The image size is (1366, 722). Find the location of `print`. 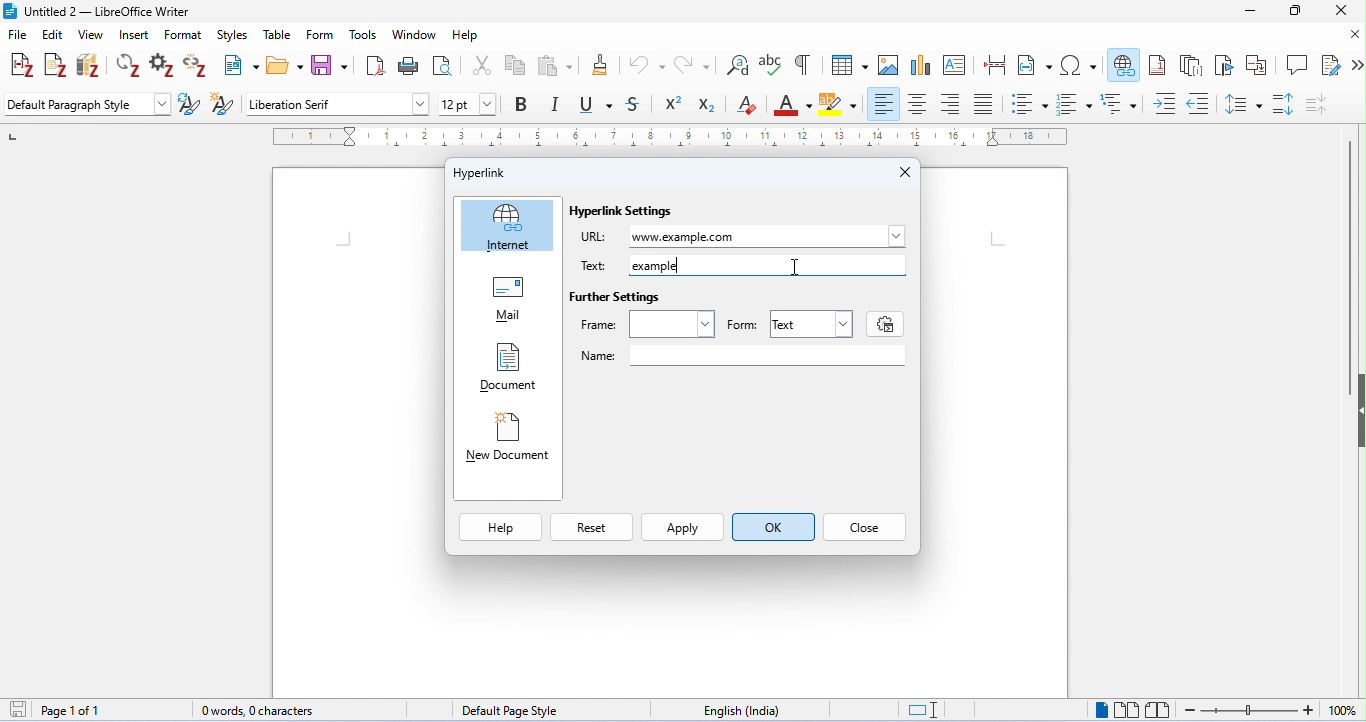

print is located at coordinates (406, 66).